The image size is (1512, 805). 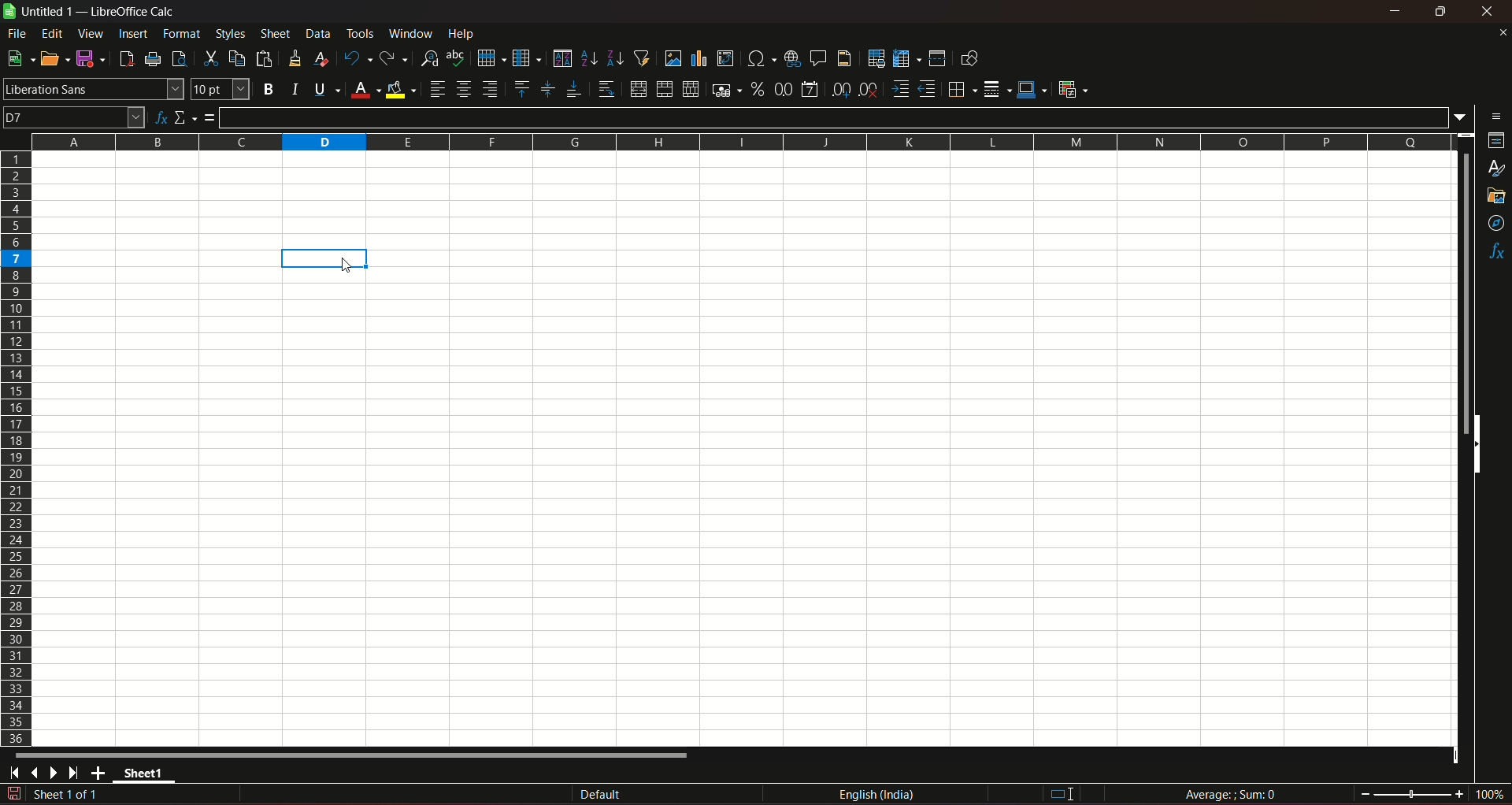 I want to click on close, so click(x=1490, y=11).